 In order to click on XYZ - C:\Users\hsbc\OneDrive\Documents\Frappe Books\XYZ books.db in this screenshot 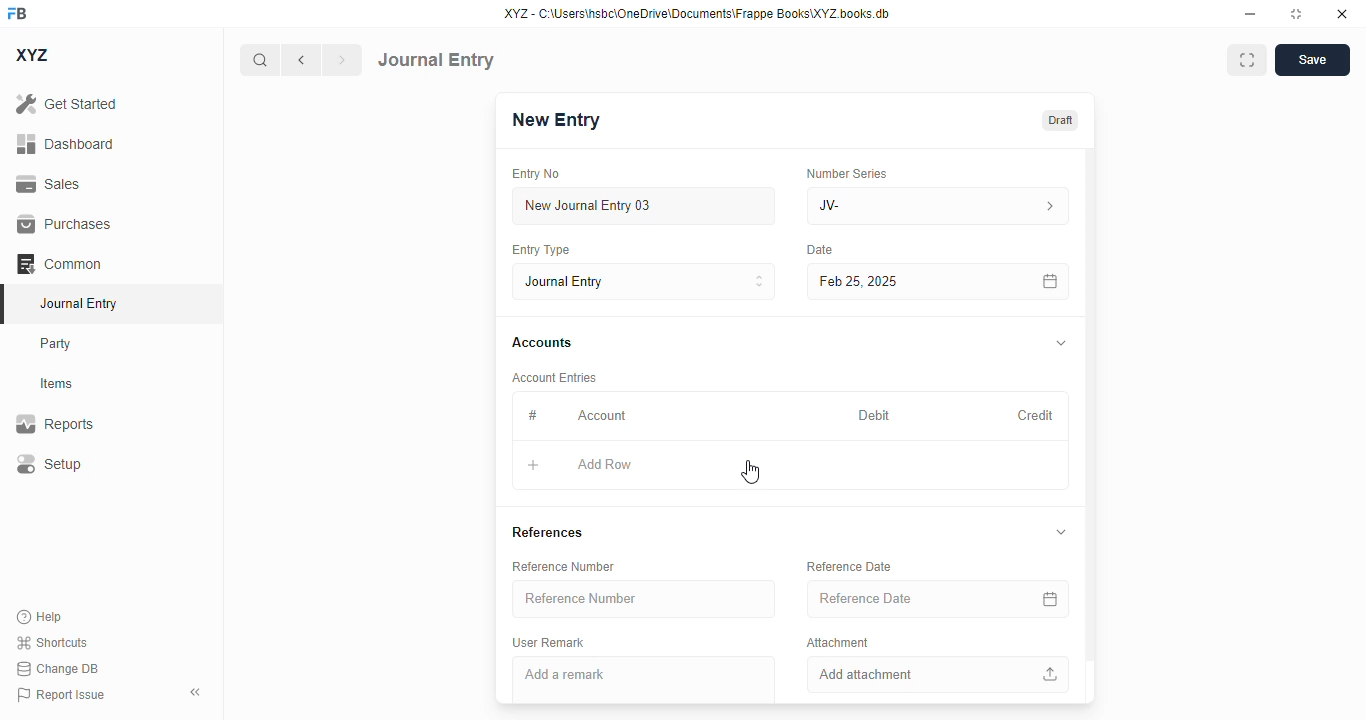, I will do `click(697, 13)`.